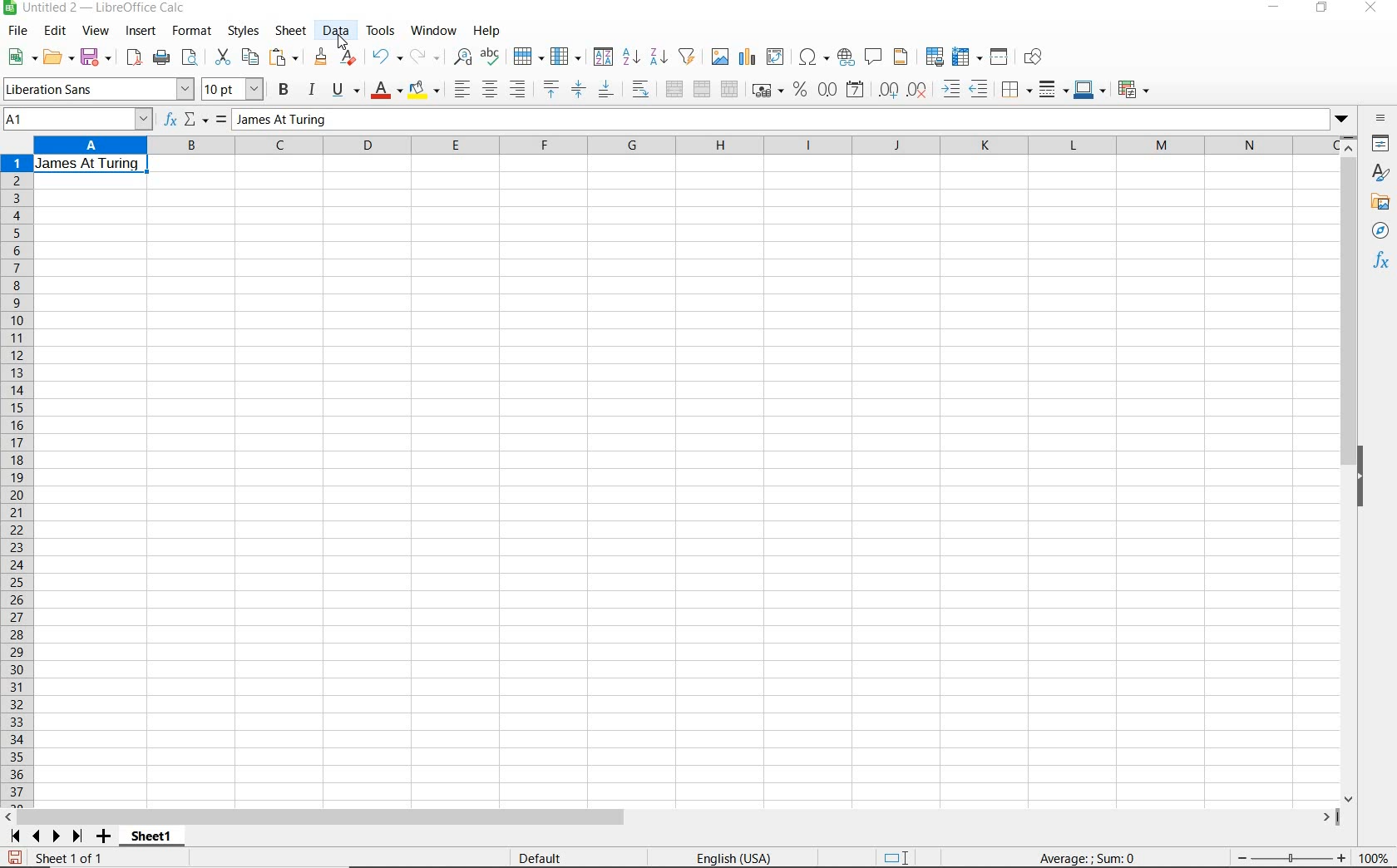 The height and width of the screenshot is (868, 1397). What do you see at coordinates (1135, 88) in the screenshot?
I see `conditional` at bounding box center [1135, 88].